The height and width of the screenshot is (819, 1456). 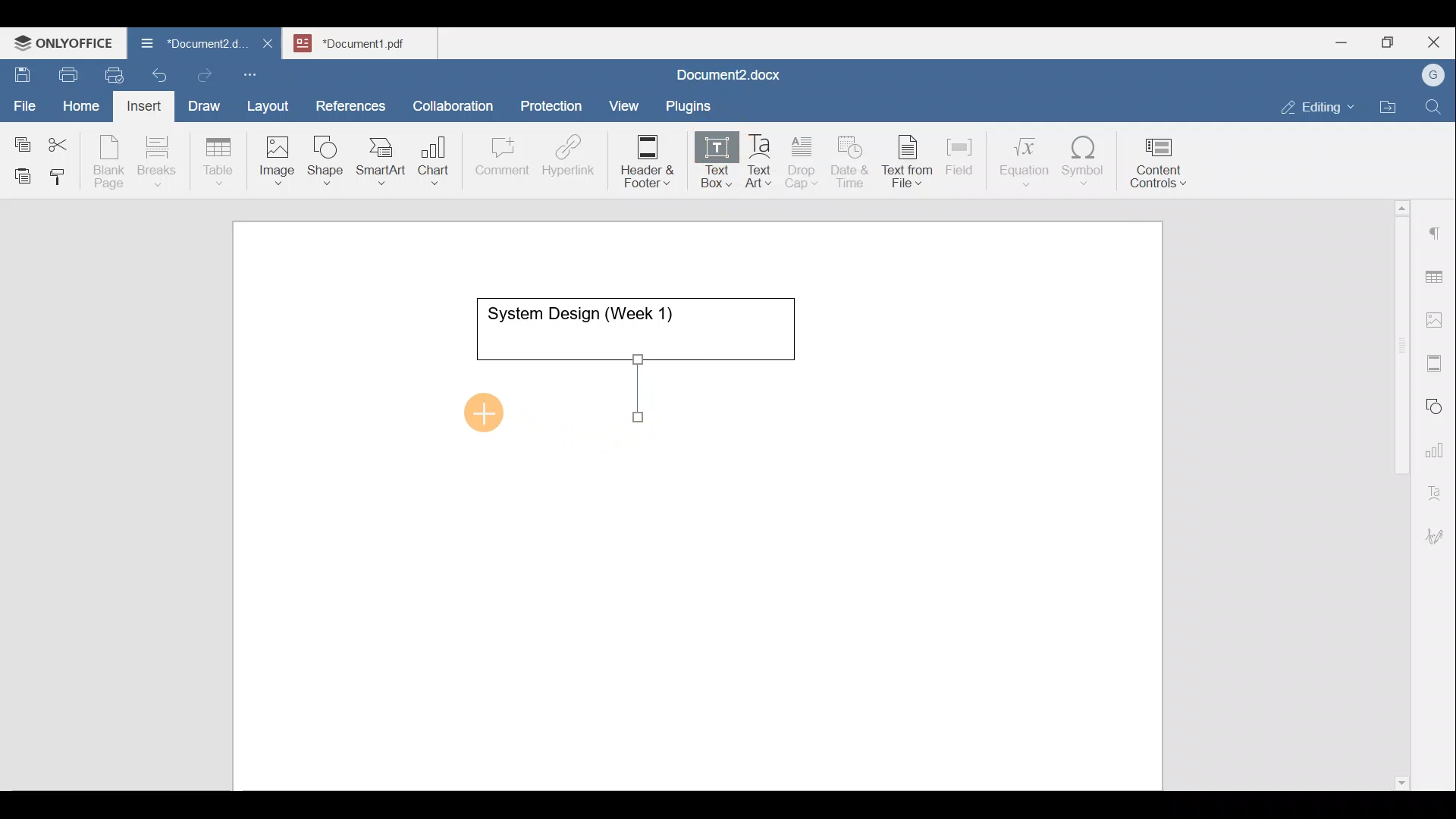 I want to click on Text box, so click(x=706, y=162).